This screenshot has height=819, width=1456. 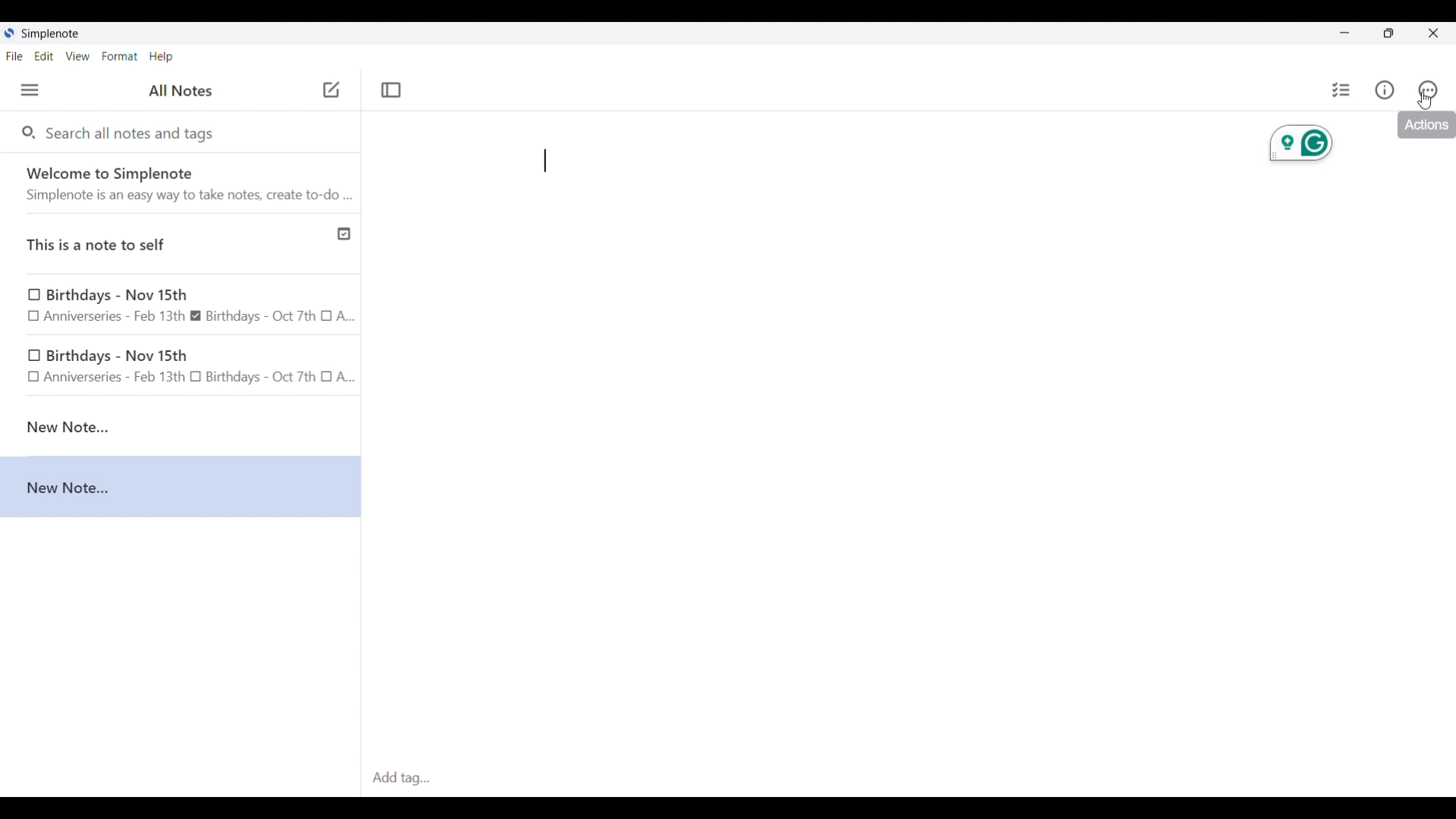 What do you see at coordinates (1389, 33) in the screenshot?
I see `Show interface in a smaller tab` at bounding box center [1389, 33].